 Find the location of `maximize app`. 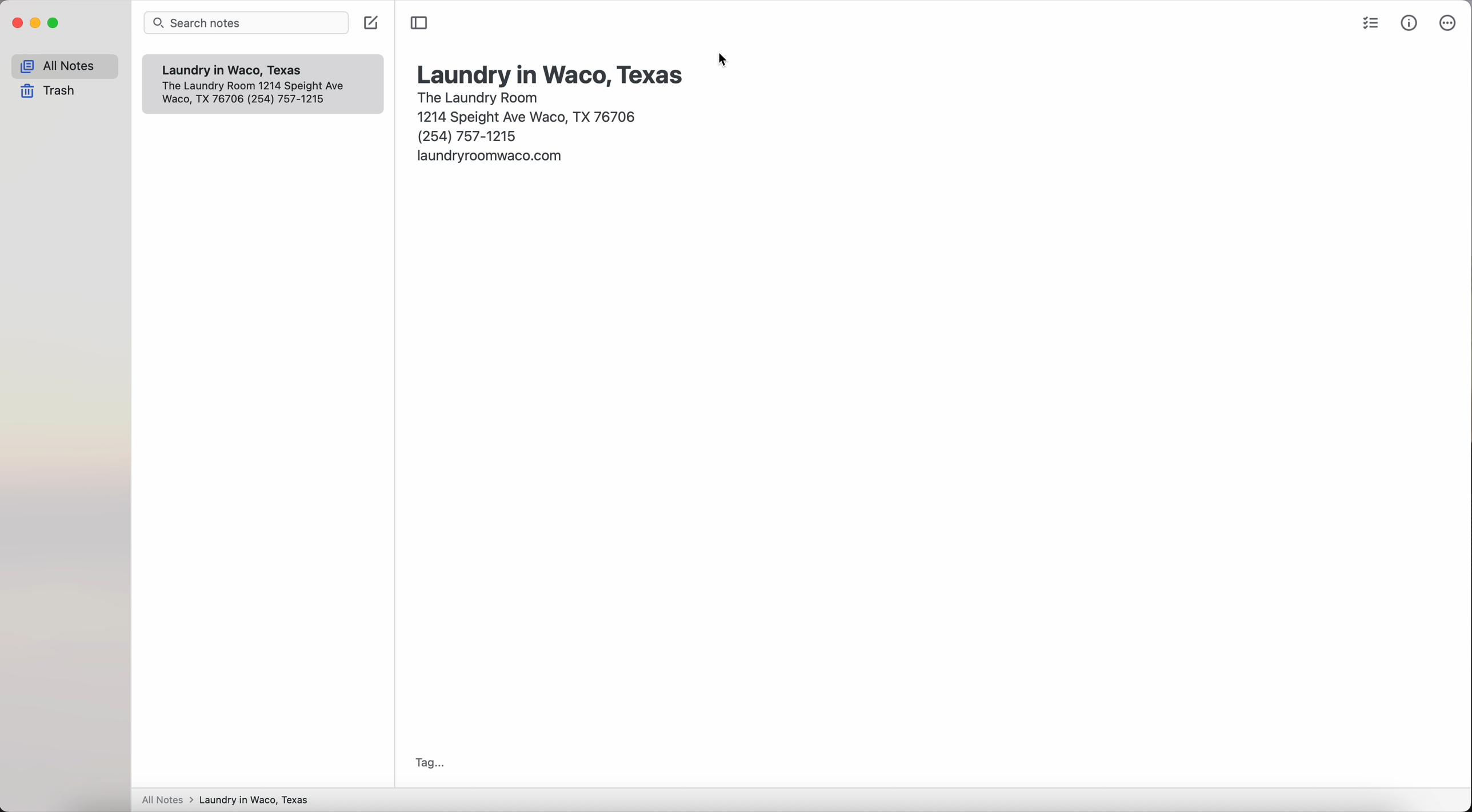

maximize app is located at coordinates (54, 23).